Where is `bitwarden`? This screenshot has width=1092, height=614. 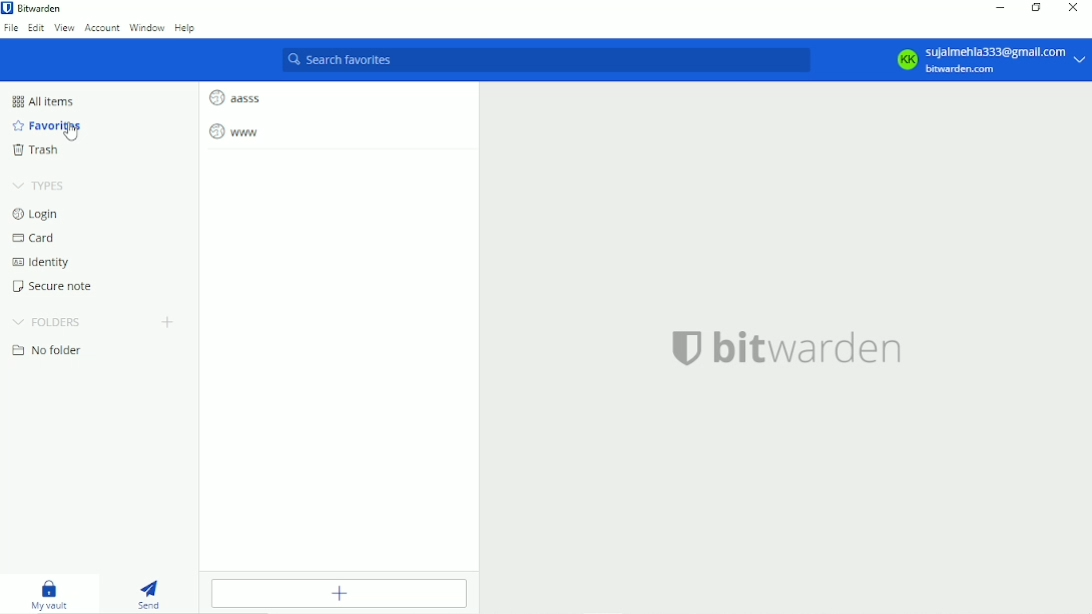
bitwarden is located at coordinates (787, 348).